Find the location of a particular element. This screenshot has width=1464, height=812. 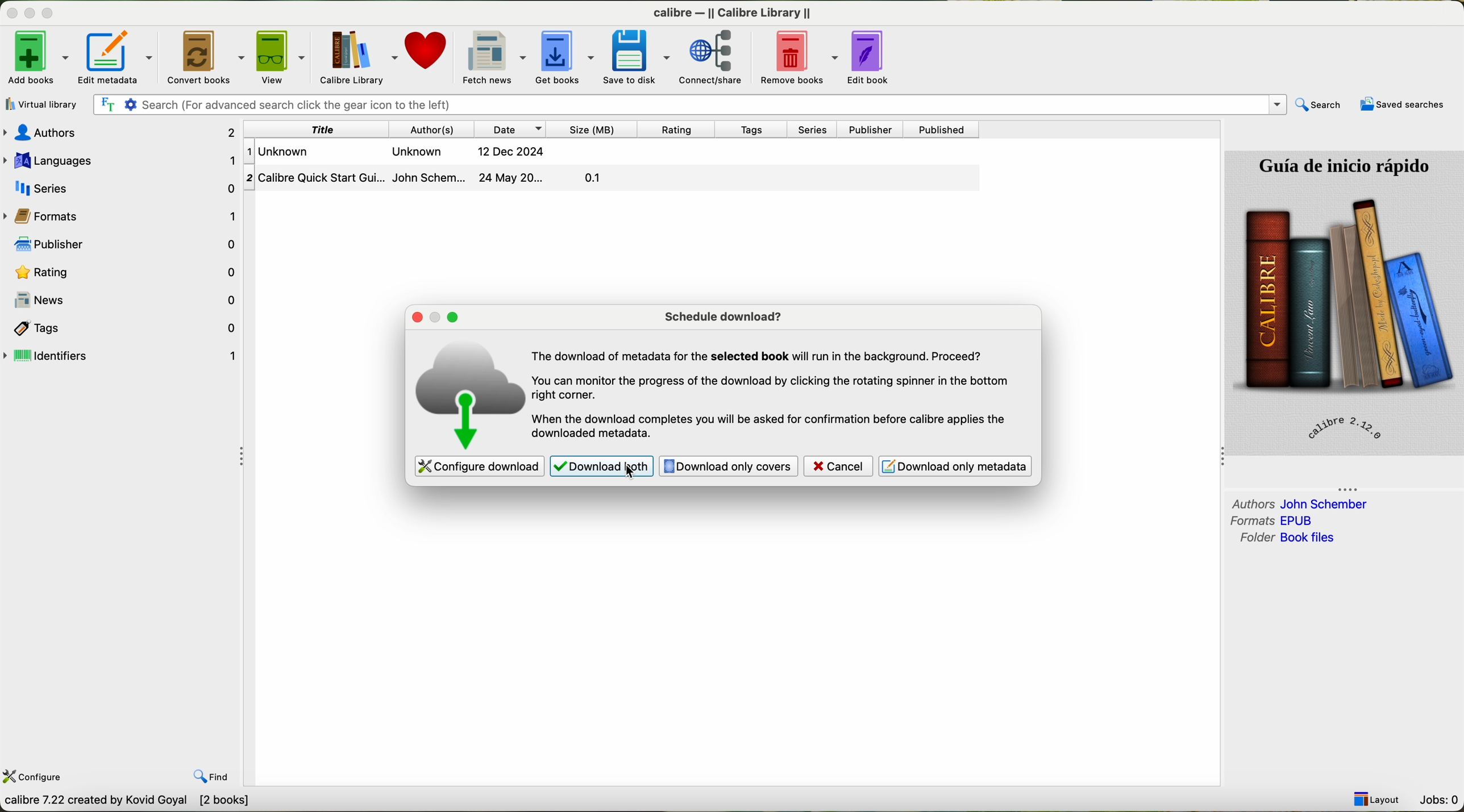

authors is located at coordinates (1299, 503).